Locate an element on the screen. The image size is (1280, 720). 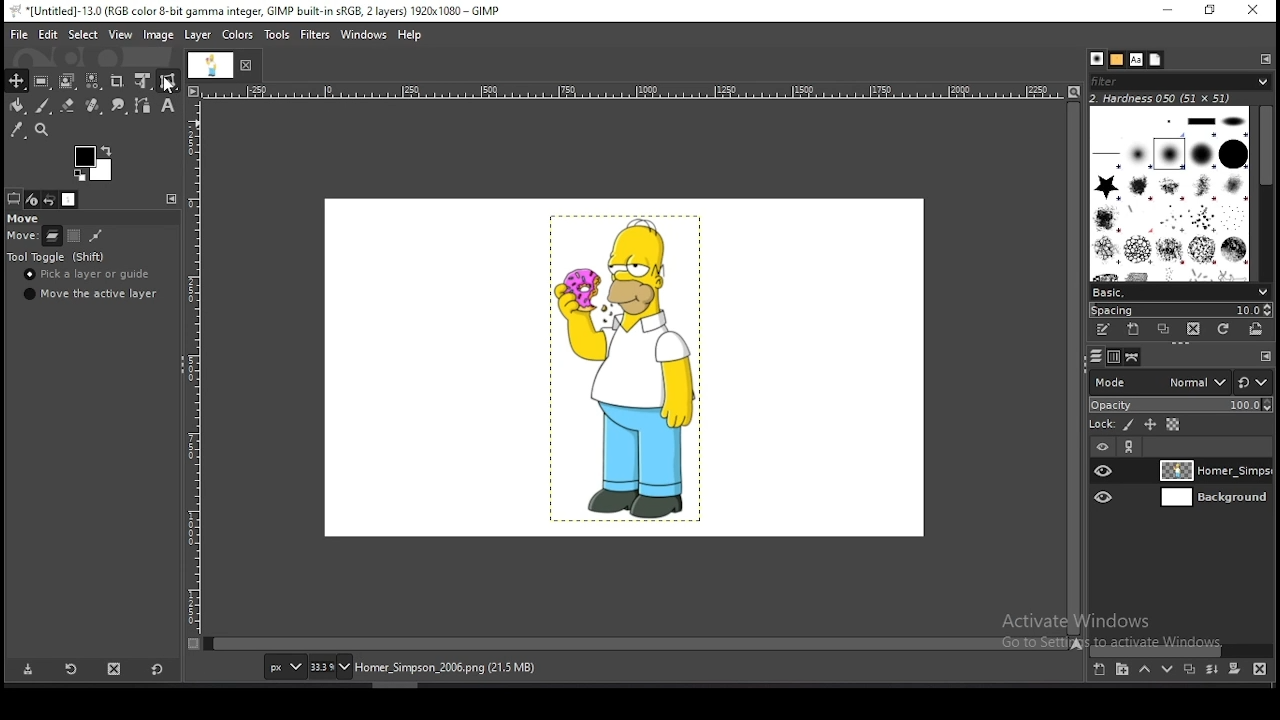
move layer is located at coordinates (51, 237).